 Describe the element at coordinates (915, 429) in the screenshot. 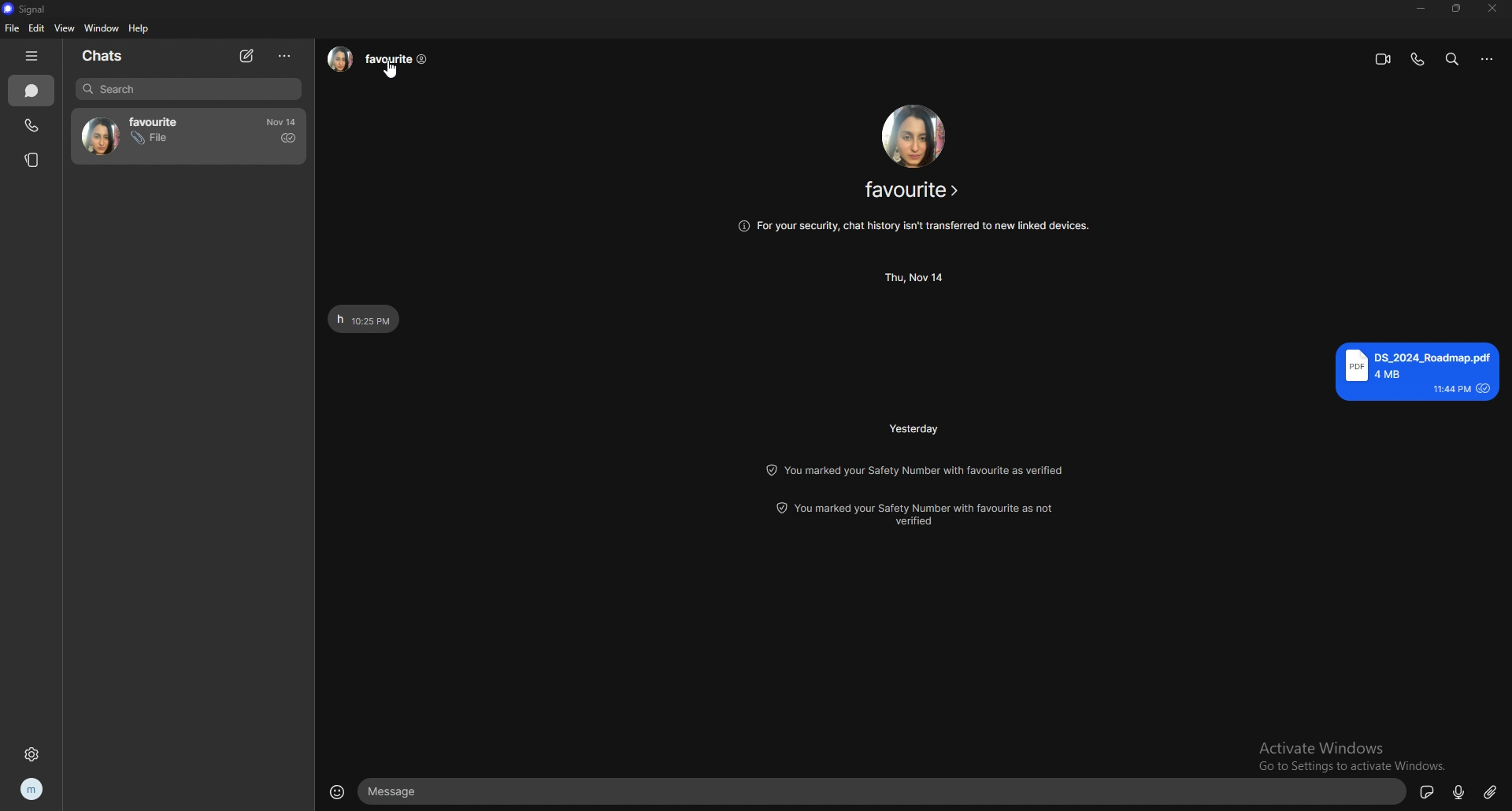

I see `time` at that location.